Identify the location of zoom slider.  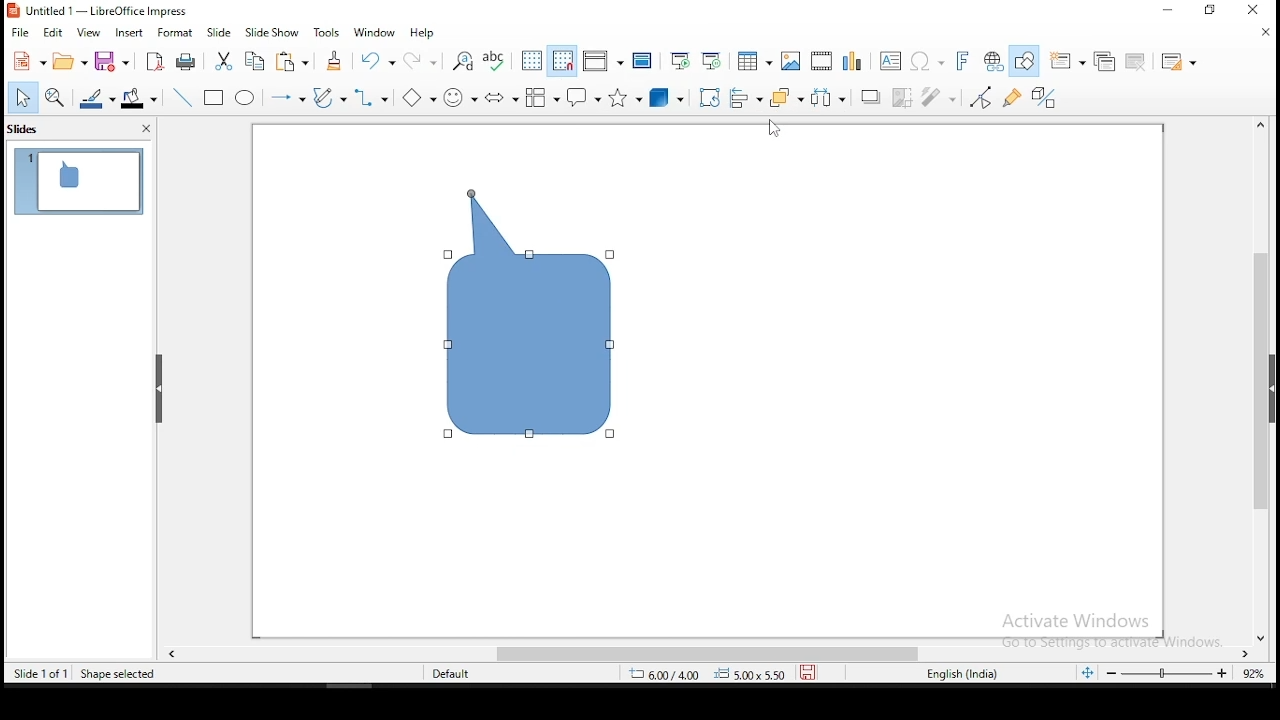
(1169, 675).